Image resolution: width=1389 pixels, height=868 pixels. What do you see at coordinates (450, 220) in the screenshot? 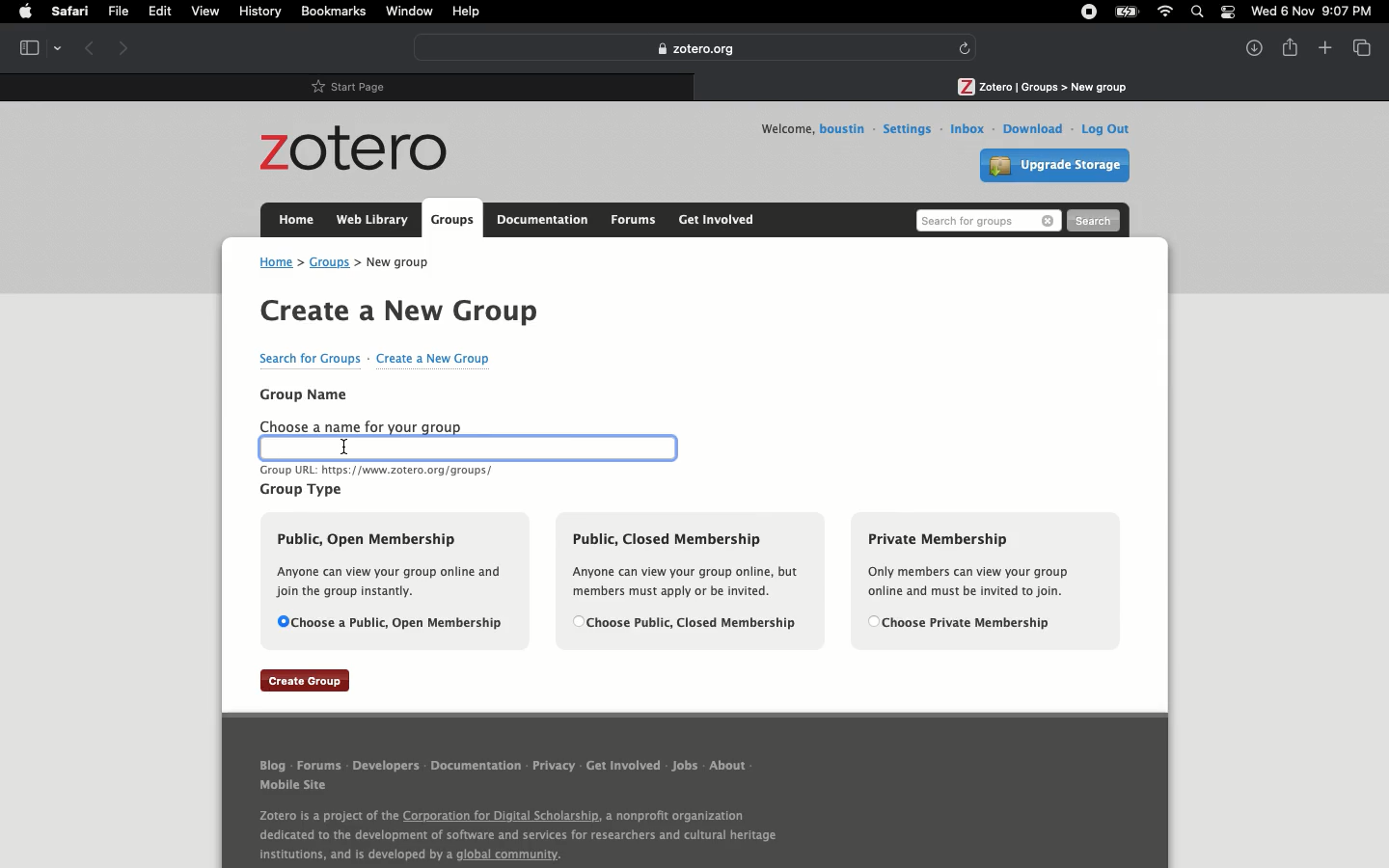
I see `Groups` at bounding box center [450, 220].